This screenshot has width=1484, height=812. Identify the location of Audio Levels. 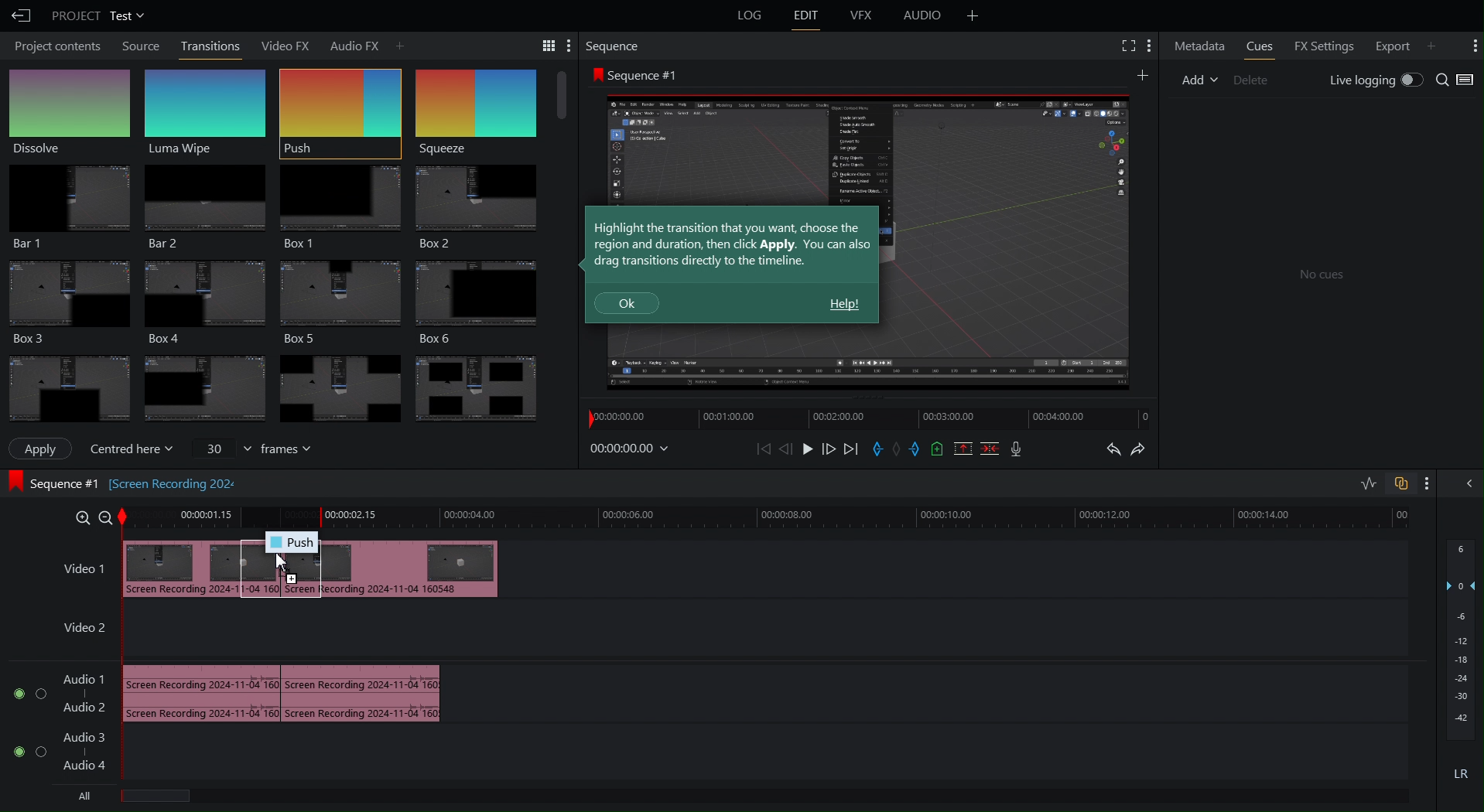
(1462, 670).